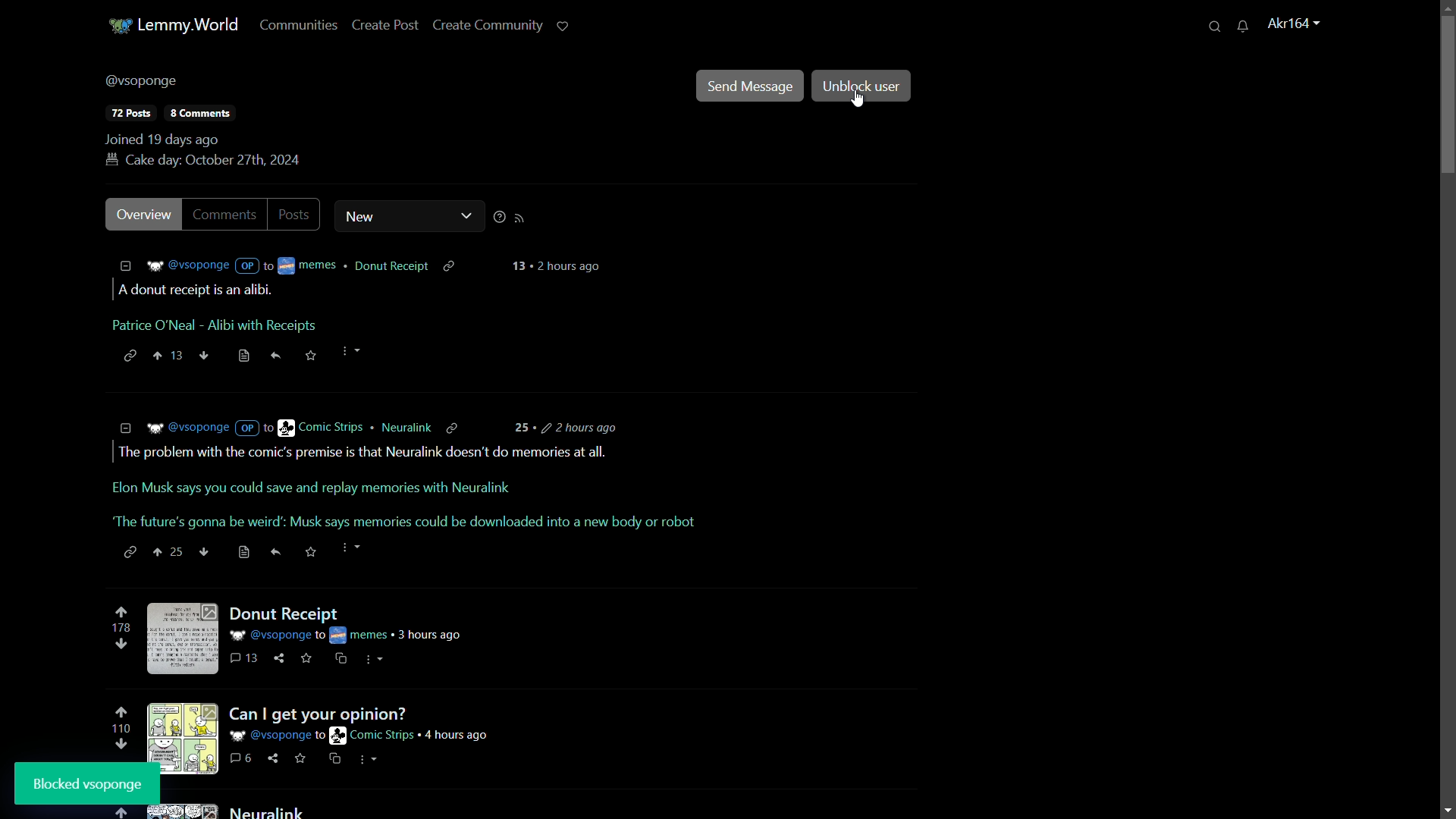 Image resolution: width=1456 pixels, height=819 pixels. What do you see at coordinates (312, 553) in the screenshot?
I see `save` at bounding box center [312, 553].